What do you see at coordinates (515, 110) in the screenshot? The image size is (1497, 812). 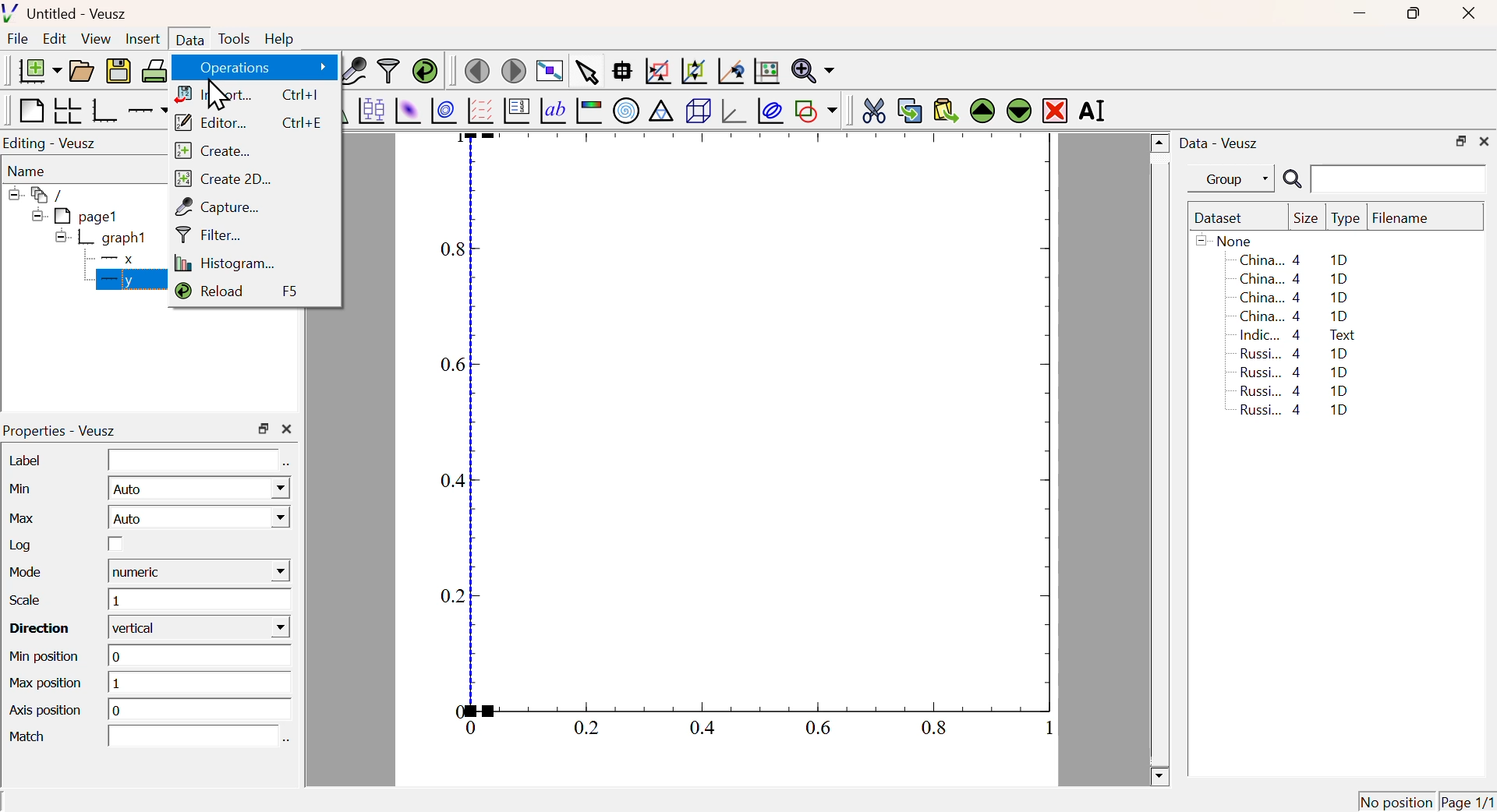 I see `Plot Key` at bounding box center [515, 110].